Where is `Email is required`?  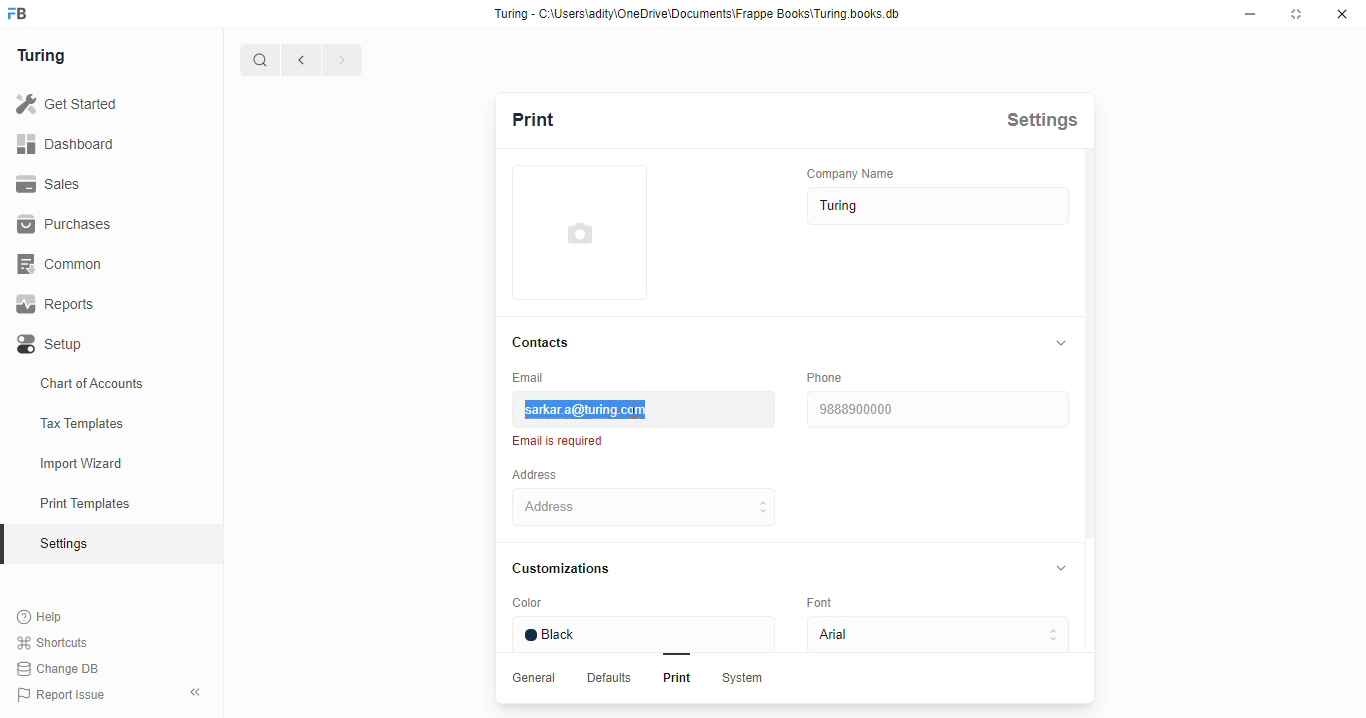
Email is required is located at coordinates (562, 441).